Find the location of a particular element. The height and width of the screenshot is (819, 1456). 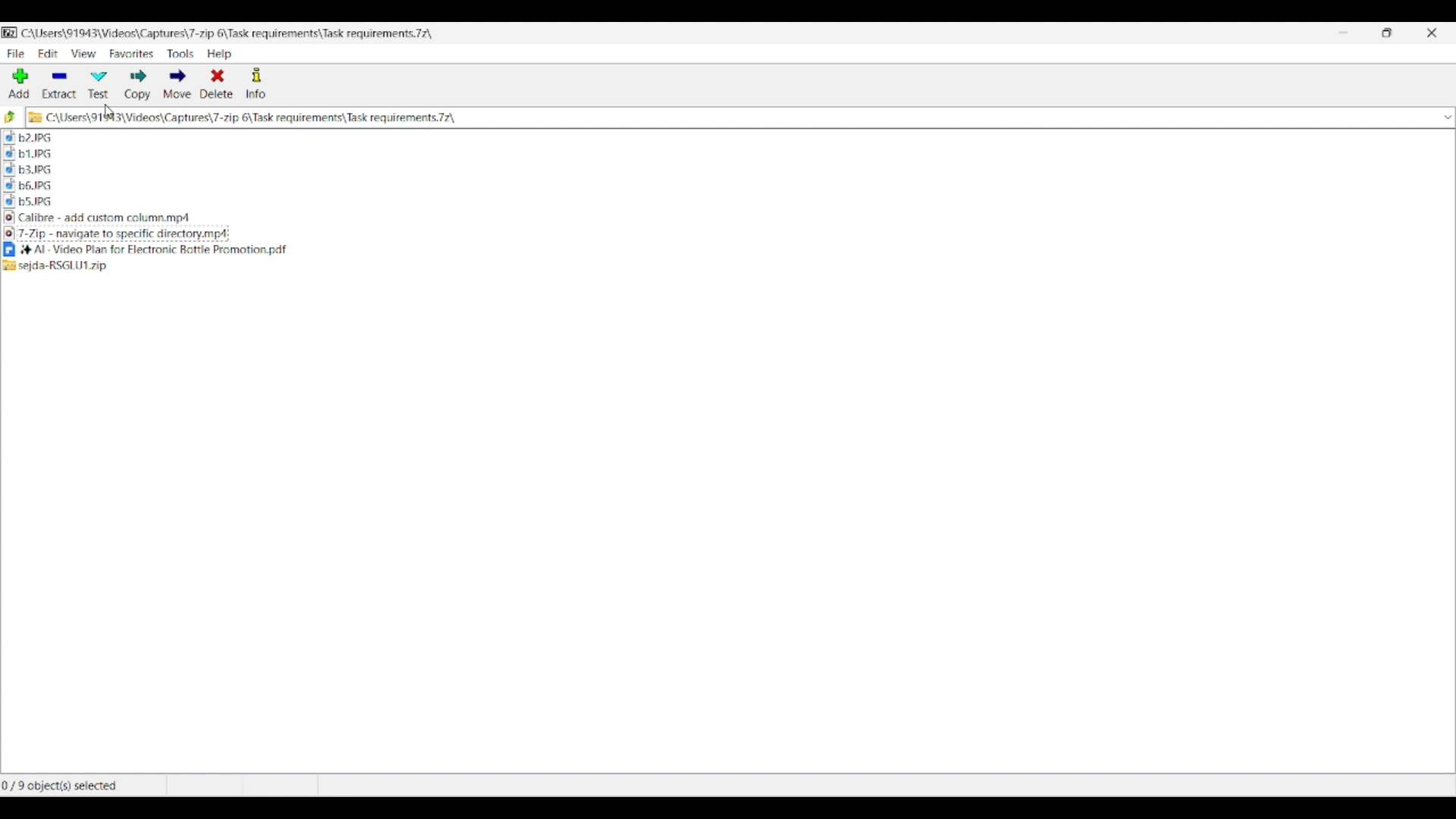

file 4 and type is located at coordinates (413, 153).